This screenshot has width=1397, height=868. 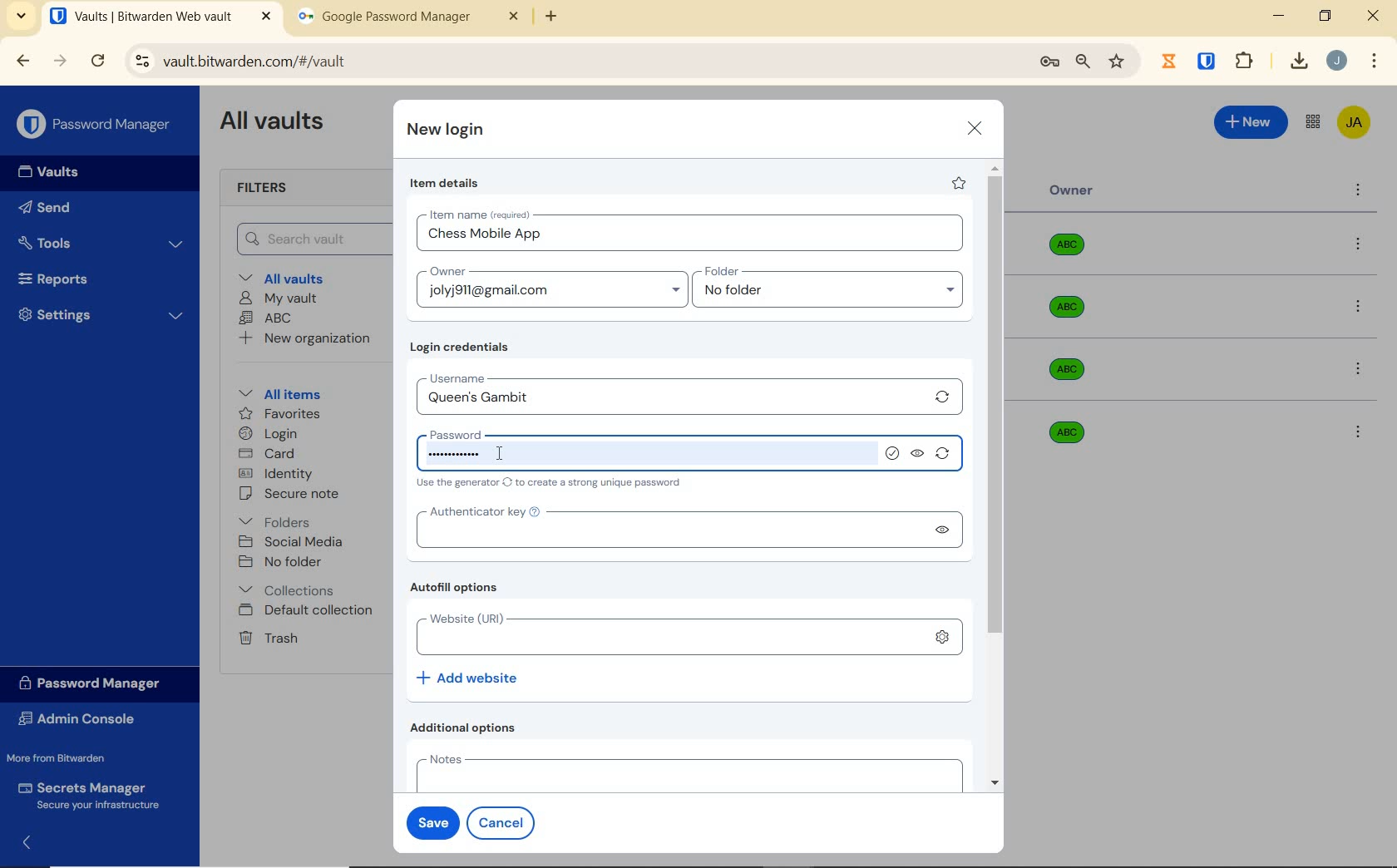 What do you see at coordinates (685, 772) in the screenshot?
I see `notes` at bounding box center [685, 772].